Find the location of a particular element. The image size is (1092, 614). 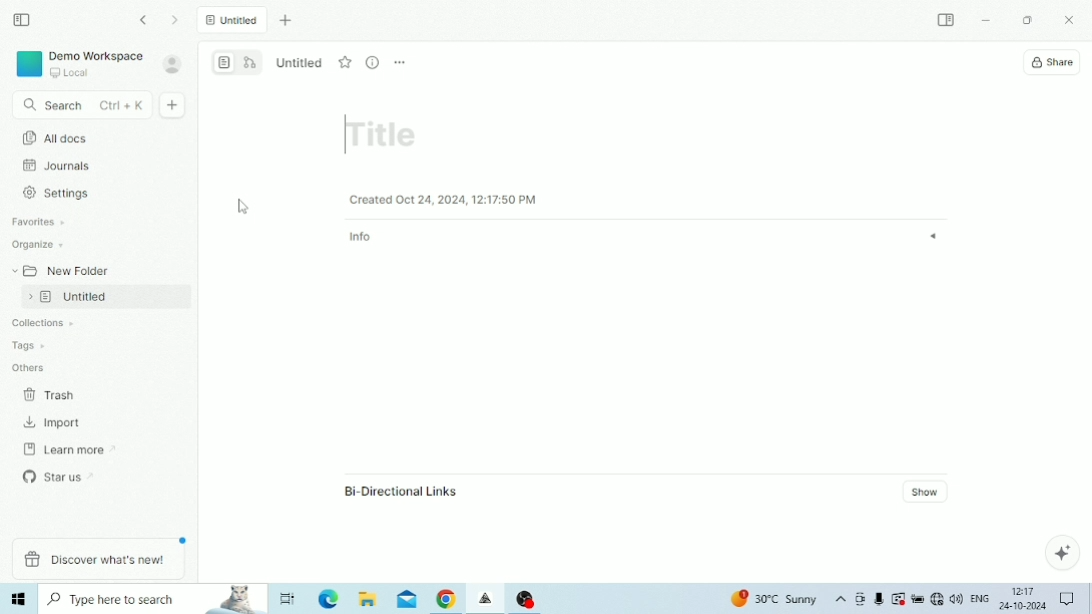

Windows is located at coordinates (20, 599).